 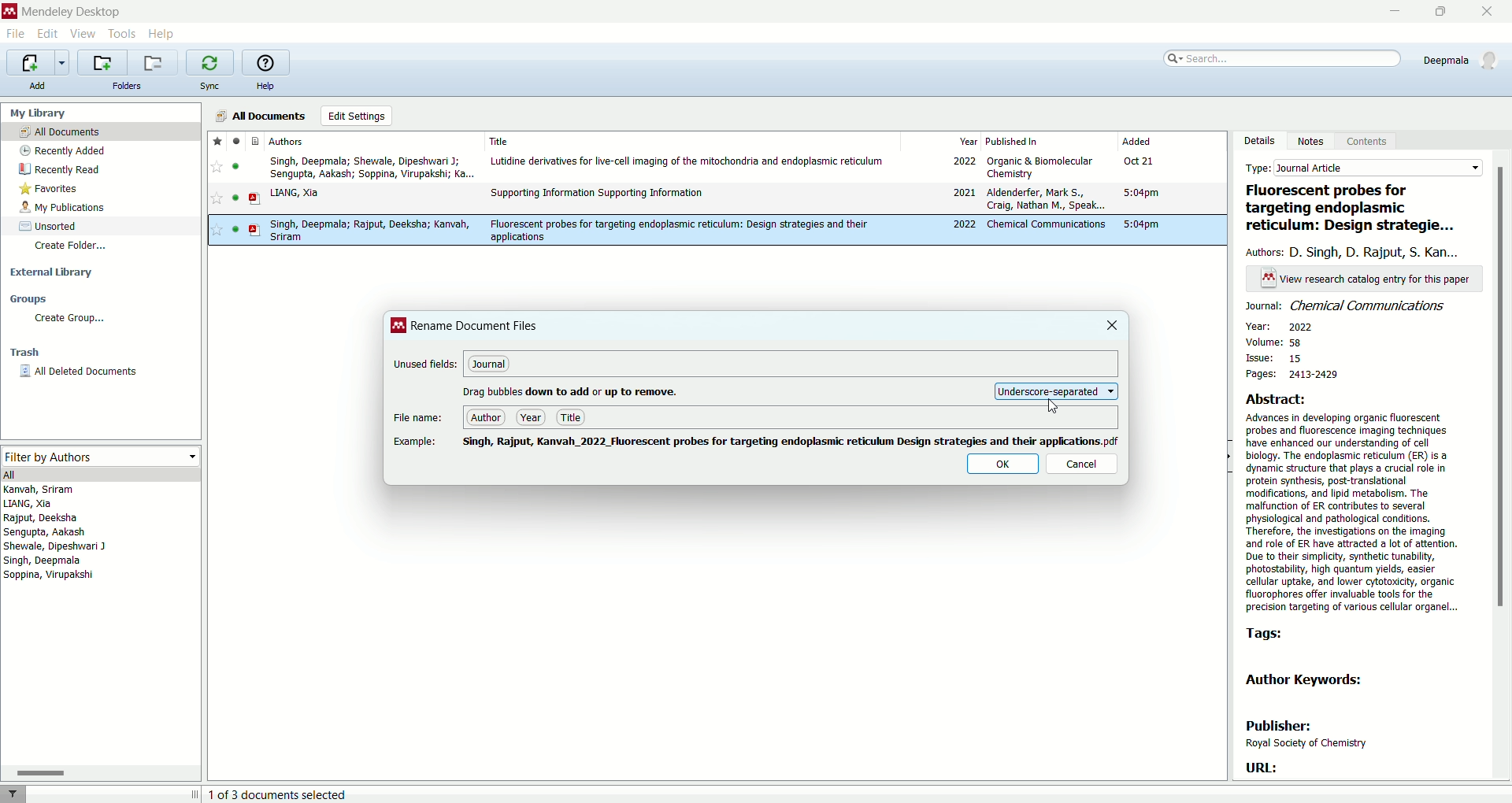 I want to click on add, so click(x=38, y=84).